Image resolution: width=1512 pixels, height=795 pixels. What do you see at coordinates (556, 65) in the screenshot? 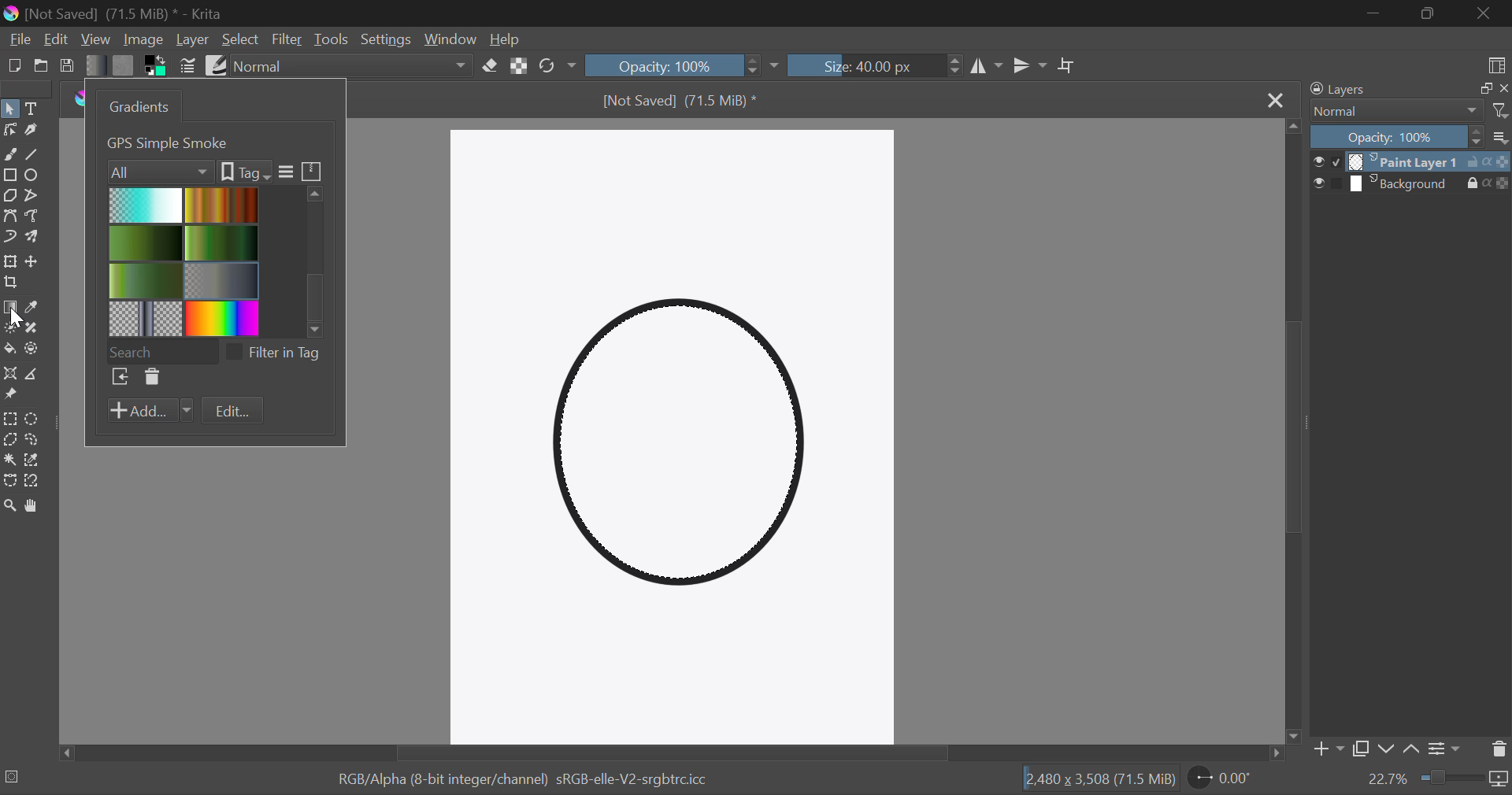
I see `Rotate` at bounding box center [556, 65].